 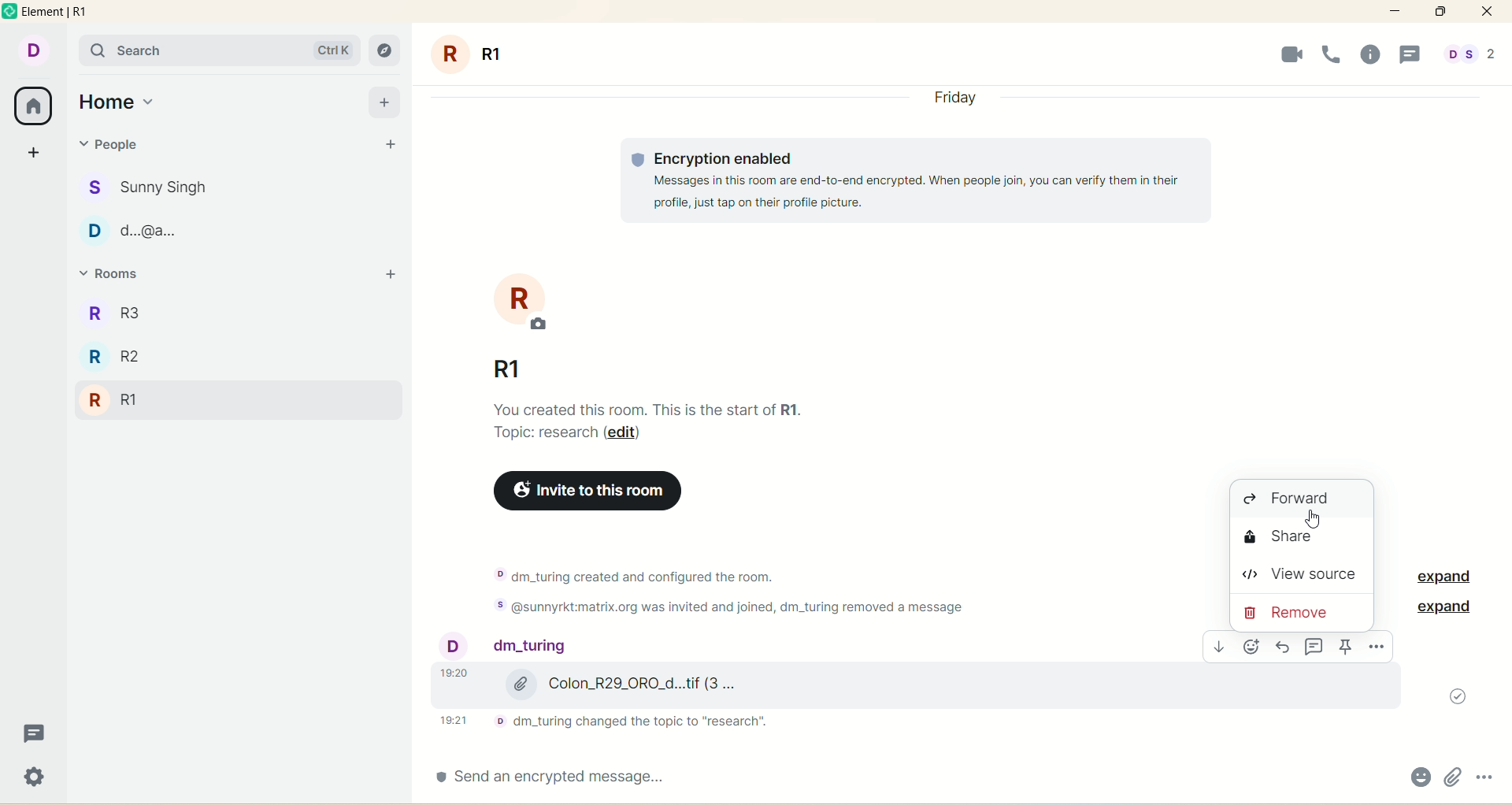 I want to click on send an encrypted message, so click(x=579, y=777).